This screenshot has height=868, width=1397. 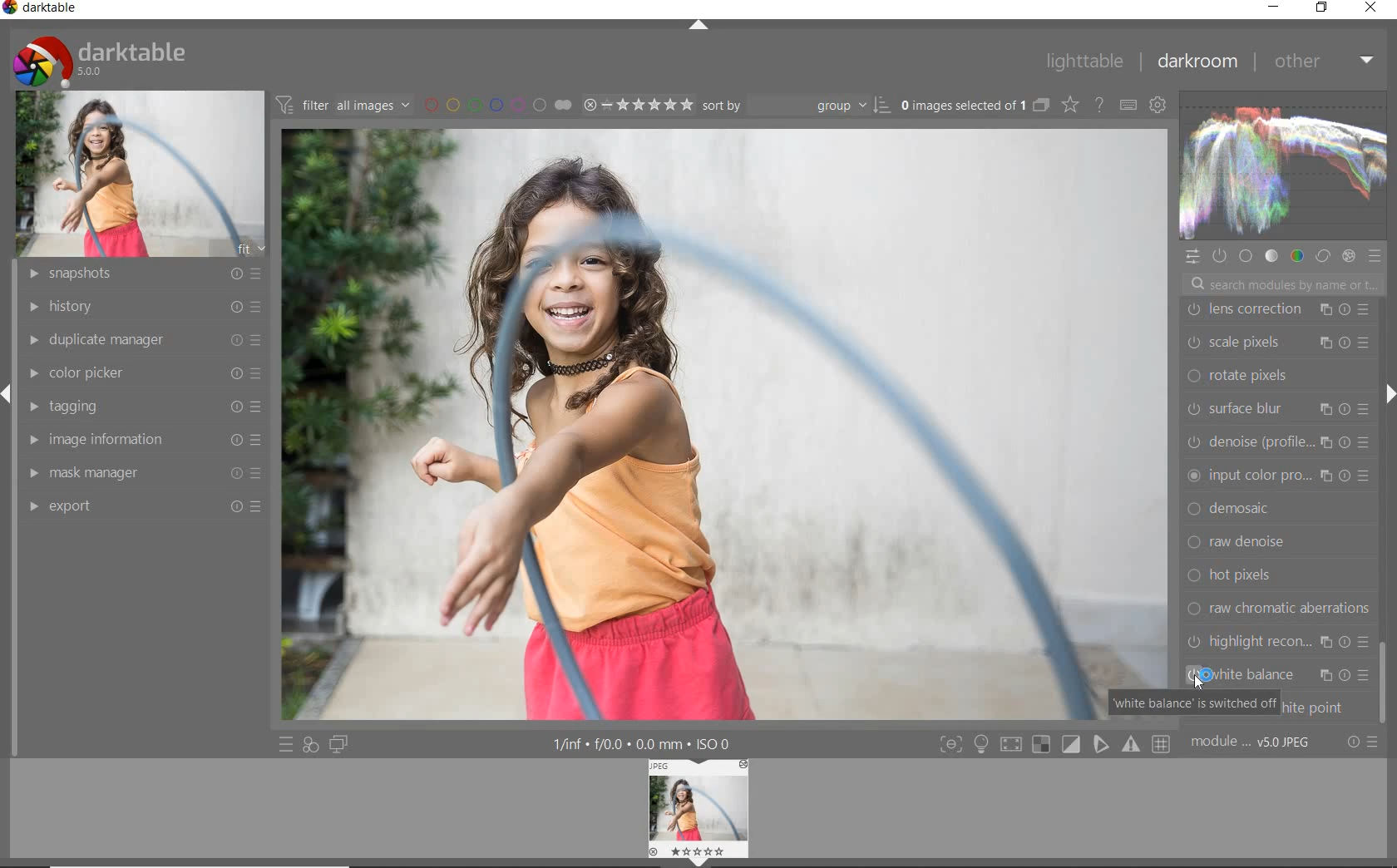 What do you see at coordinates (644, 745) in the screenshot?
I see `other interface details` at bounding box center [644, 745].